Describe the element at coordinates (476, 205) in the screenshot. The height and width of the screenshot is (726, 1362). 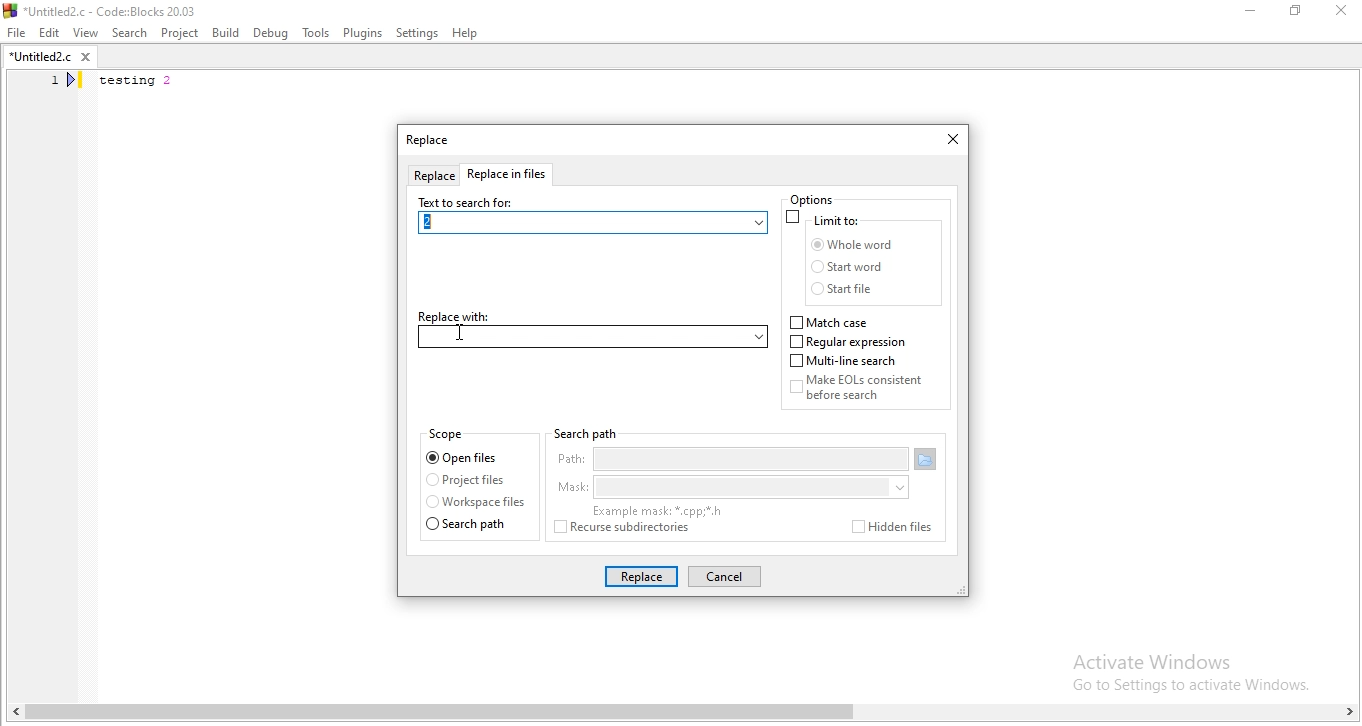
I see `text to search for` at that location.